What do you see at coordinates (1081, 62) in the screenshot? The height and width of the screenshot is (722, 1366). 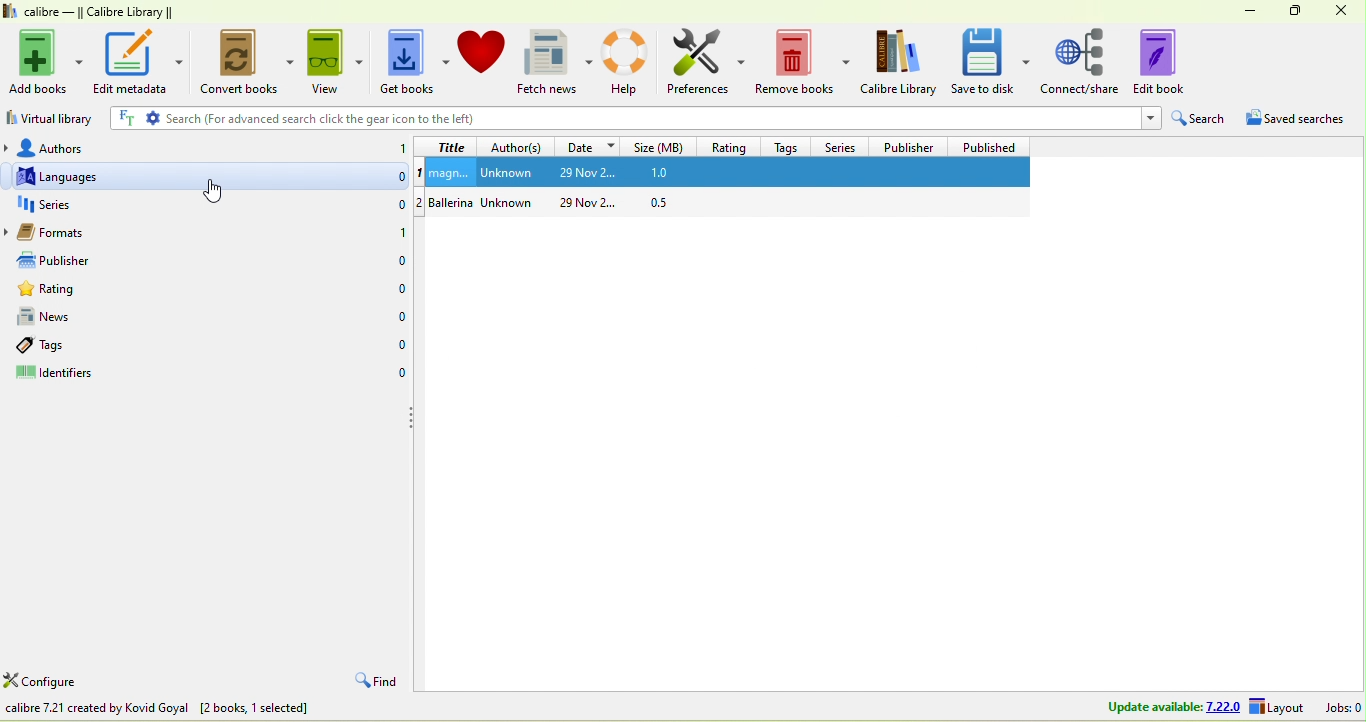 I see `connect /share` at bounding box center [1081, 62].